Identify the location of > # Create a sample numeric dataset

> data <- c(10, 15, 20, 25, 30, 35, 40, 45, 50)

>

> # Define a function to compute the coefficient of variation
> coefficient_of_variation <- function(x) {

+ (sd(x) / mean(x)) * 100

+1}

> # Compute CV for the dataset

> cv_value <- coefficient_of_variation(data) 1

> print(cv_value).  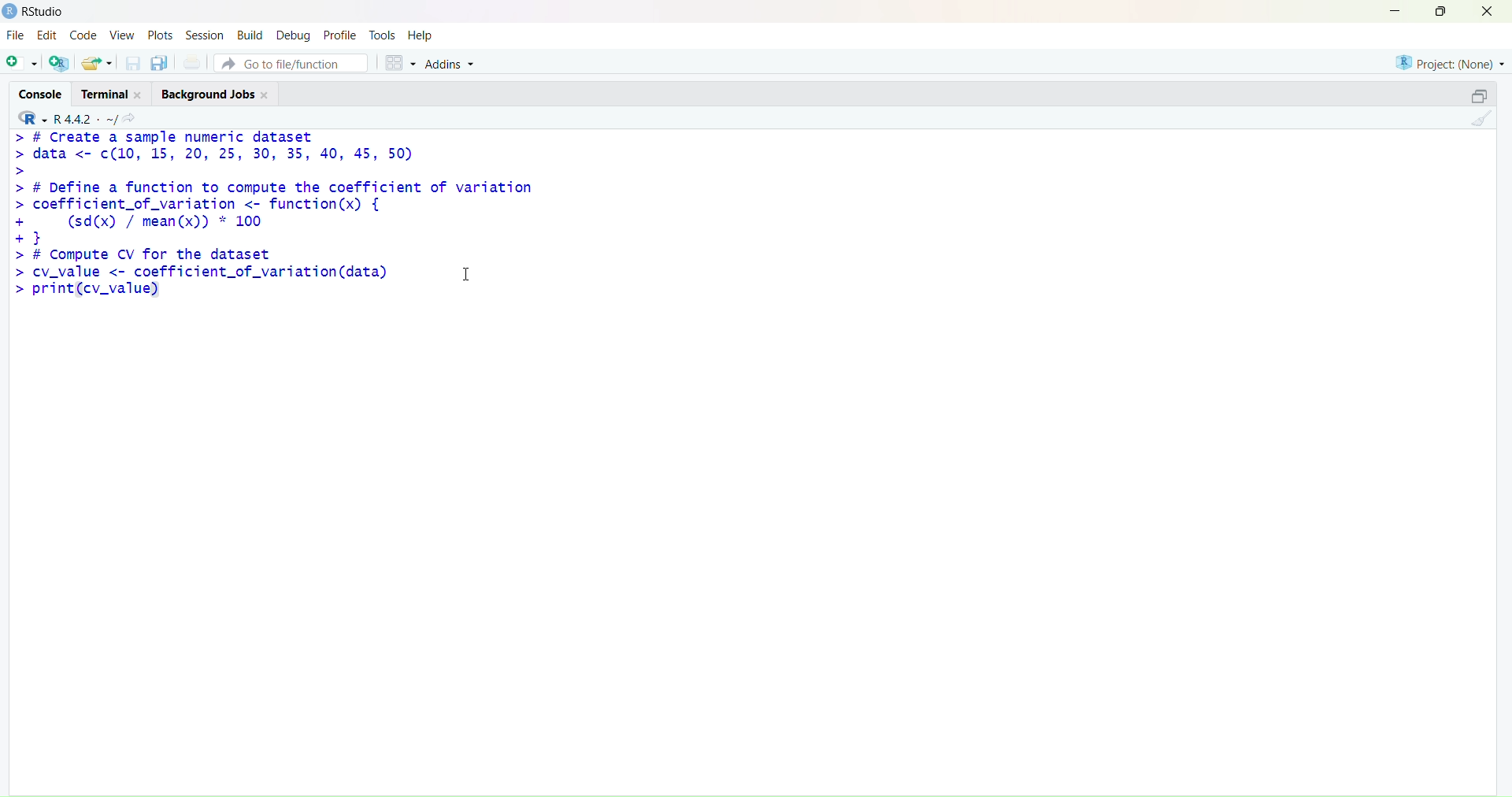
(279, 218).